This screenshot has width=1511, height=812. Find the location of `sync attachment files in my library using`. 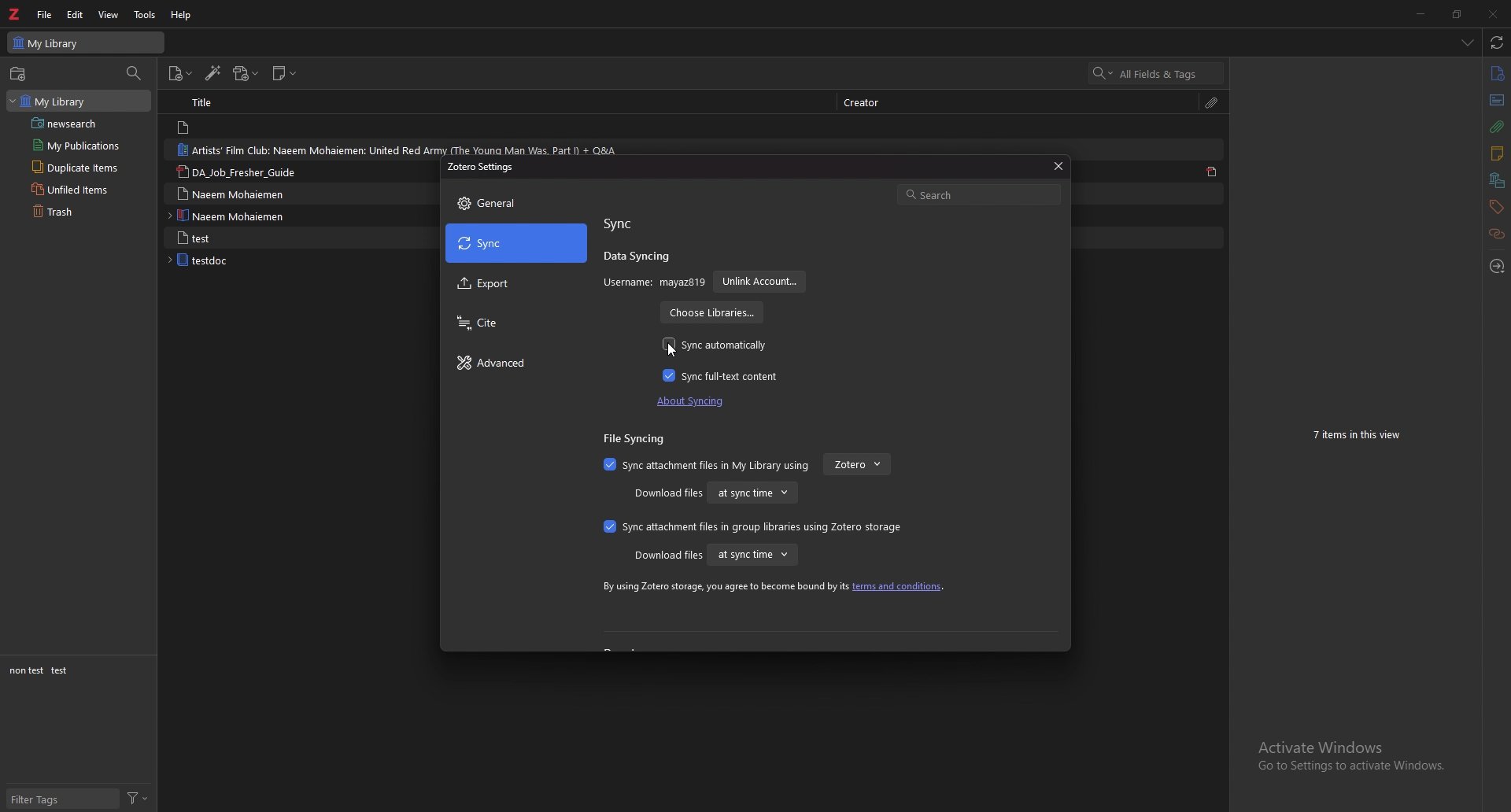

sync attachment files in my library using is located at coordinates (707, 465).